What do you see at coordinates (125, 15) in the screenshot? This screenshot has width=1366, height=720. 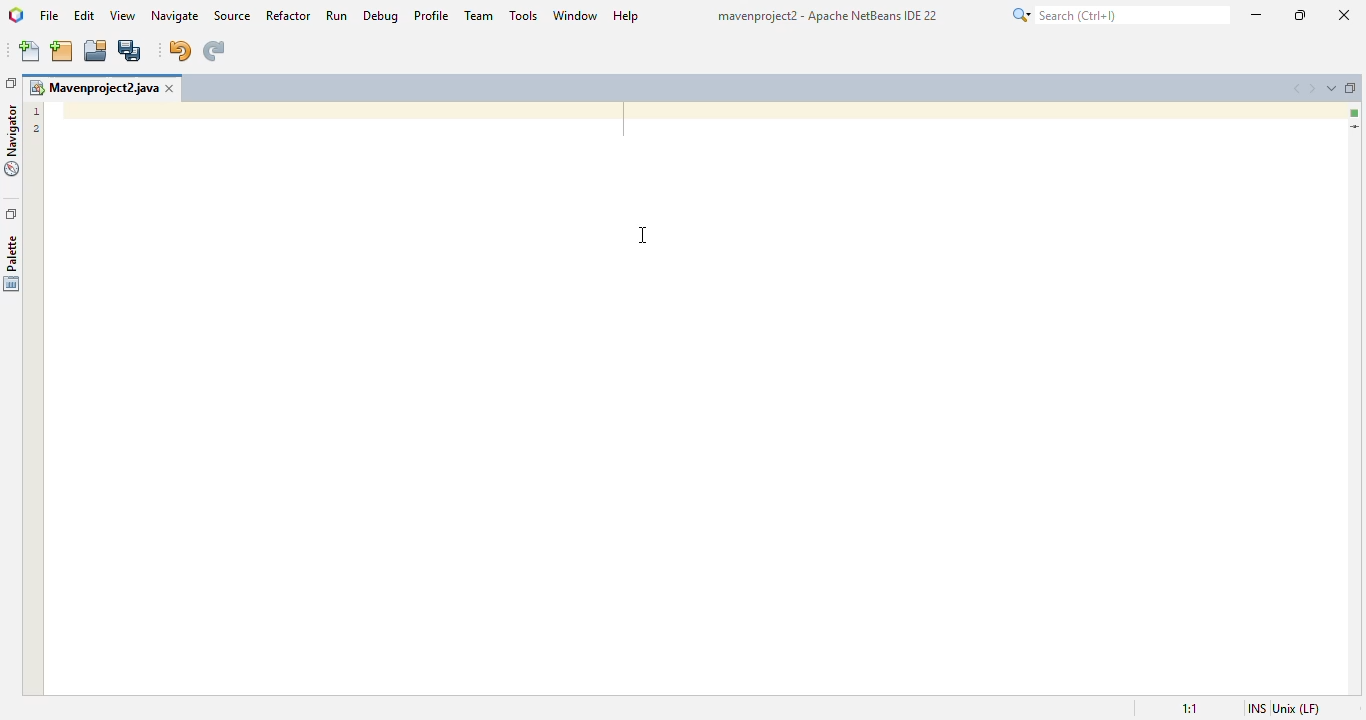 I see `view` at bounding box center [125, 15].